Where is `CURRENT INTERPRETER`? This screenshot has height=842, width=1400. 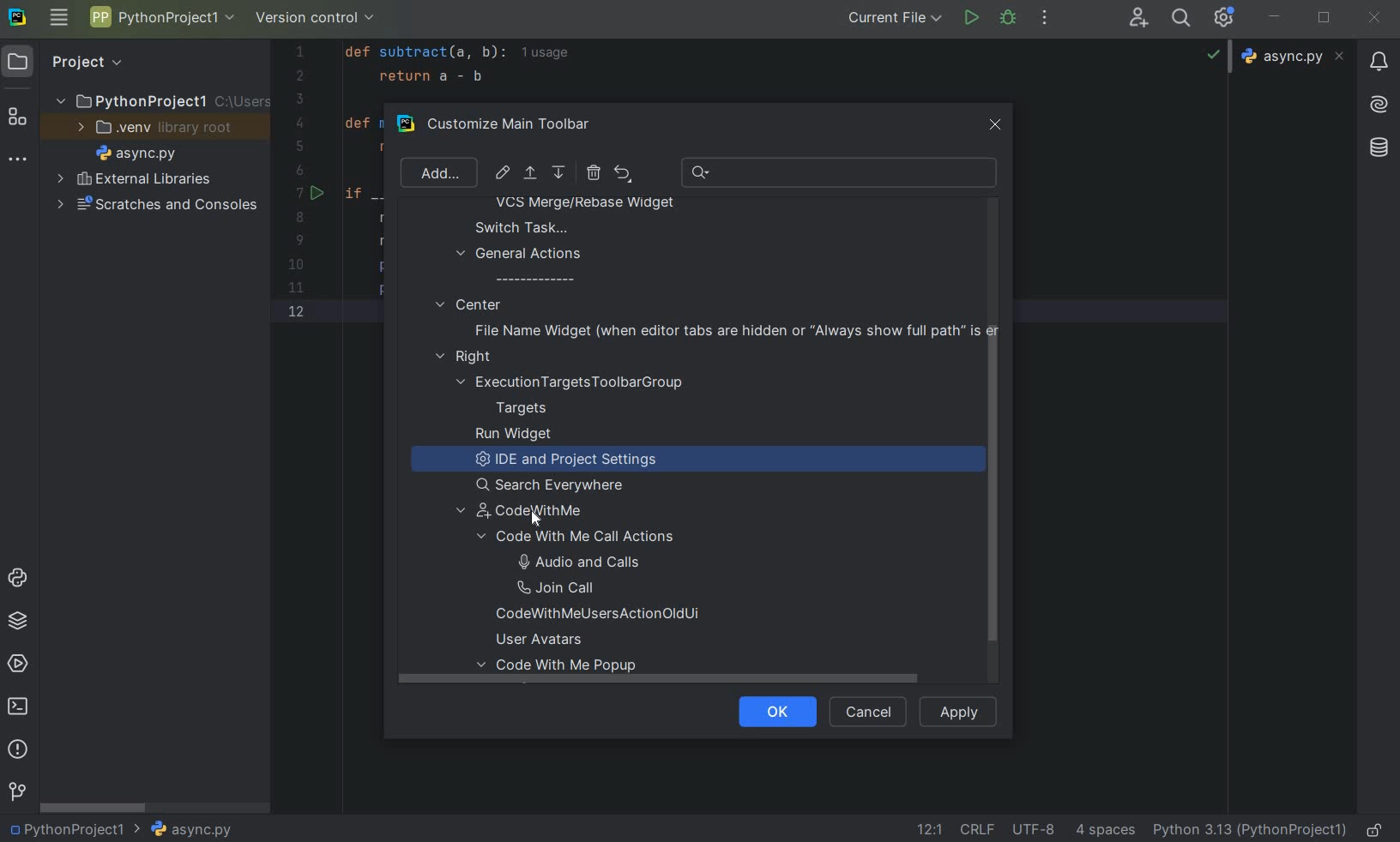
CURRENT INTERPRETER is located at coordinates (1249, 829).